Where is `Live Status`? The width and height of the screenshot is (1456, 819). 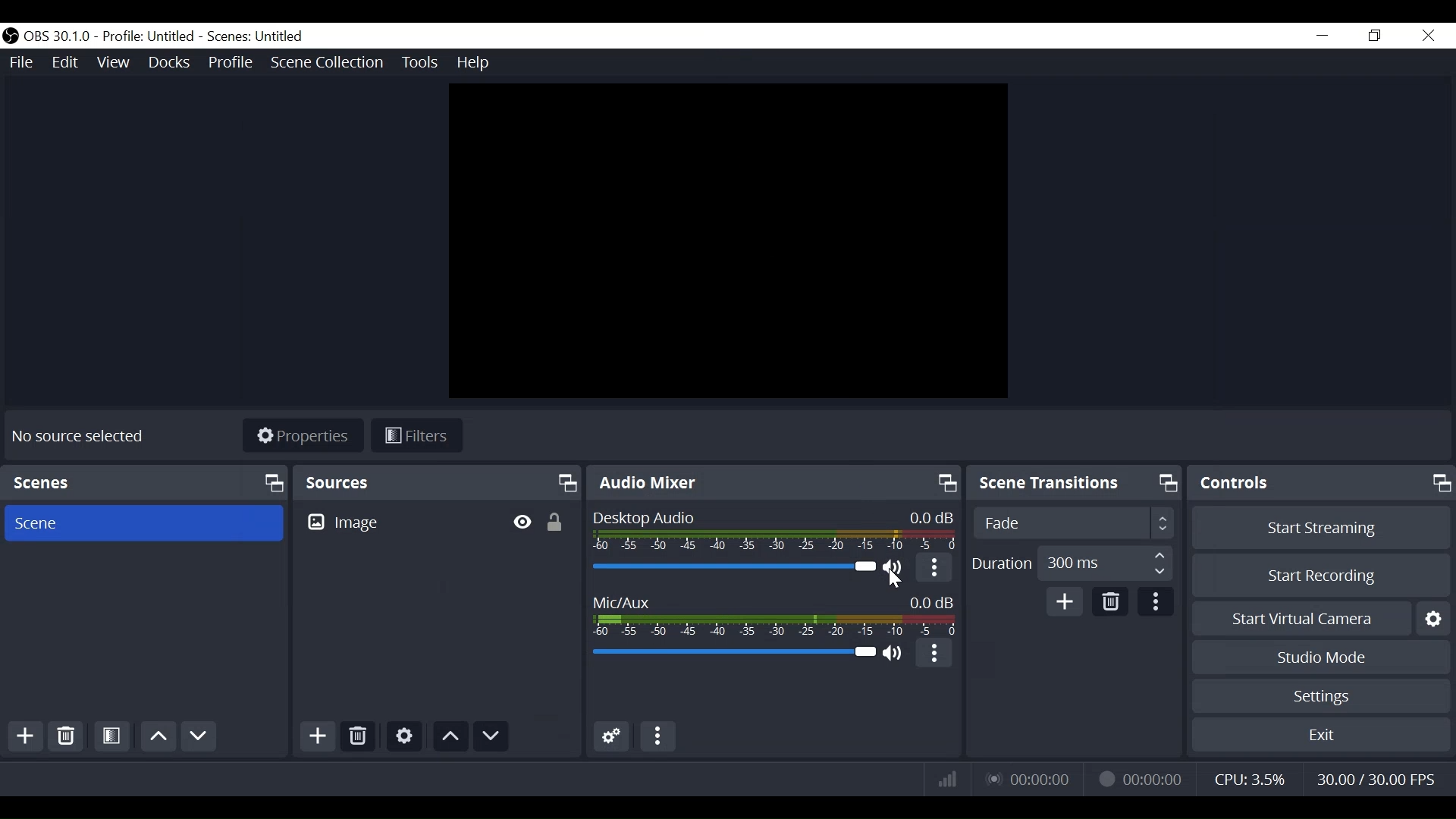
Live Status is located at coordinates (1031, 777).